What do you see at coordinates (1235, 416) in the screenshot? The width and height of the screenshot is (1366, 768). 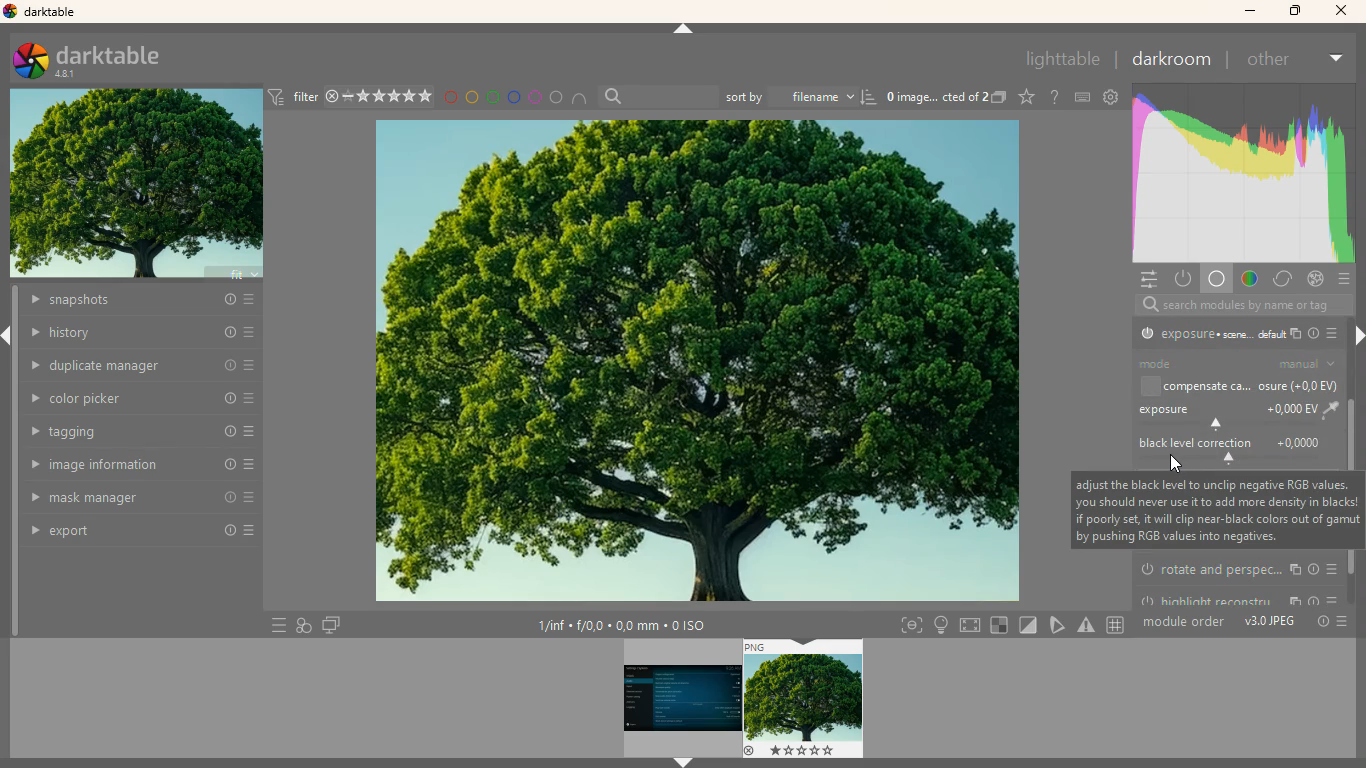 I see `exposure` at bounding box center [1235, 416].